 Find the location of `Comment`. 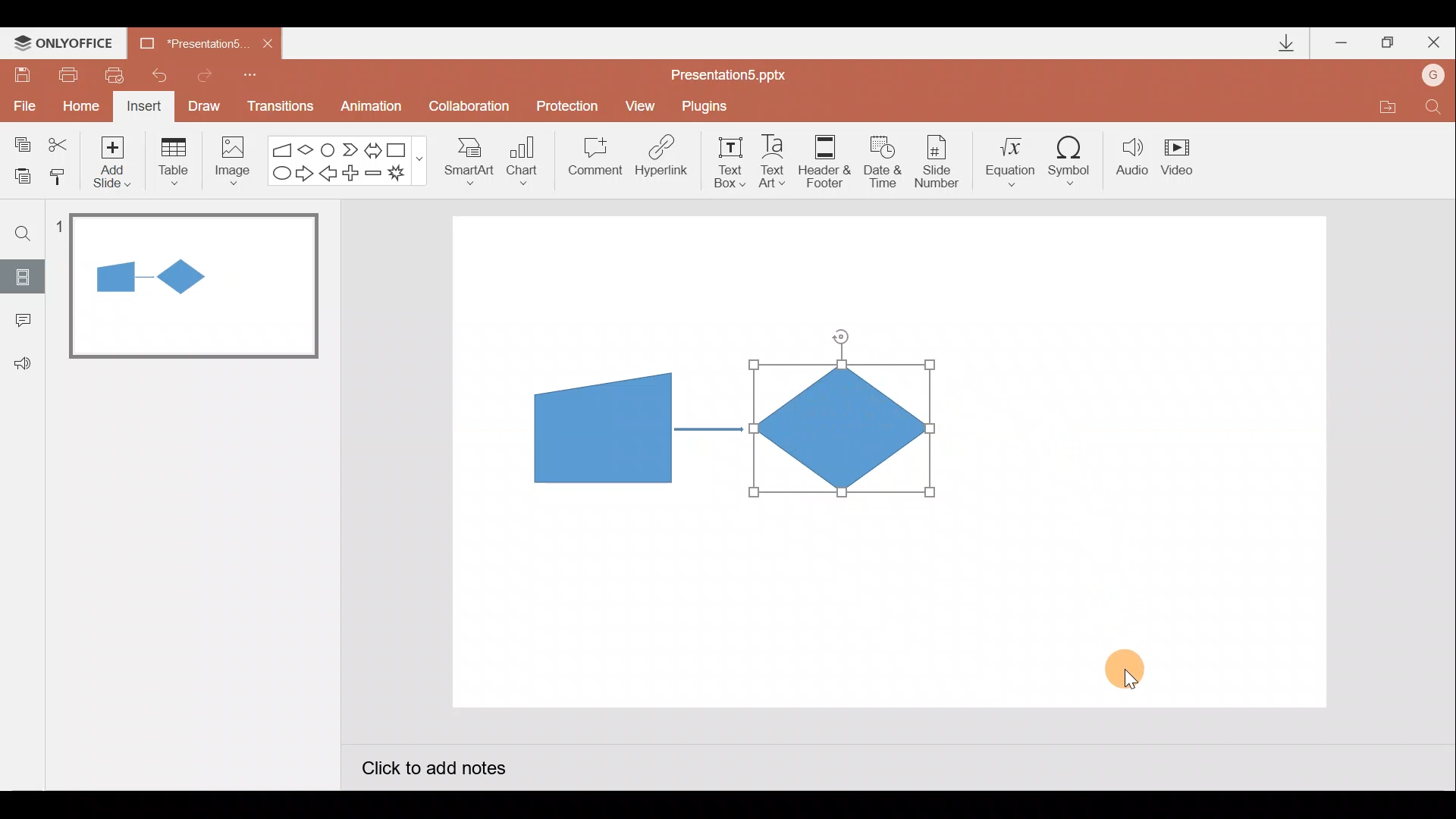

Comment is located at coordinates (593, 162).